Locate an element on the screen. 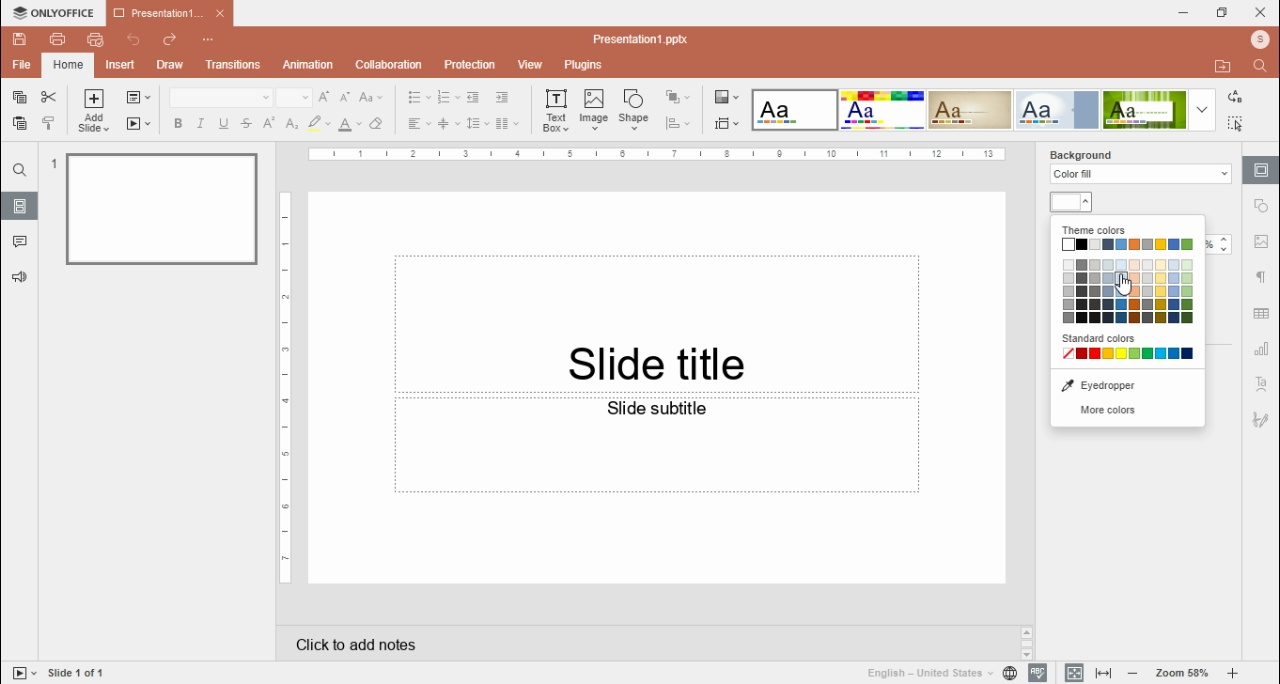  feedback & support is located at coordinates (17, 277).